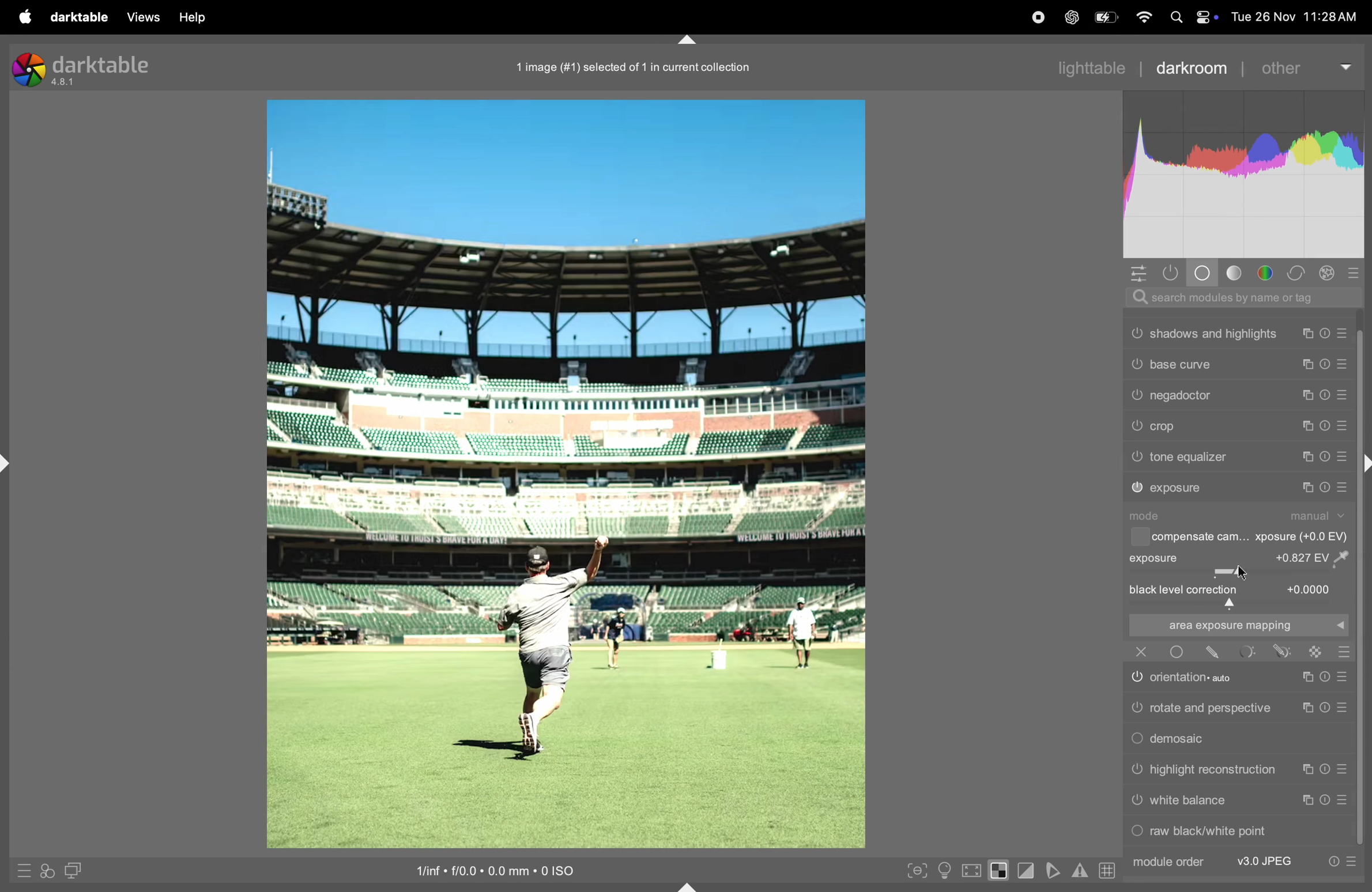 The height and width of the screenshot is (892, 1372). Describe the element at coordinates (687, 38) in the screenshot. I see `expand or collapse ` at that location.